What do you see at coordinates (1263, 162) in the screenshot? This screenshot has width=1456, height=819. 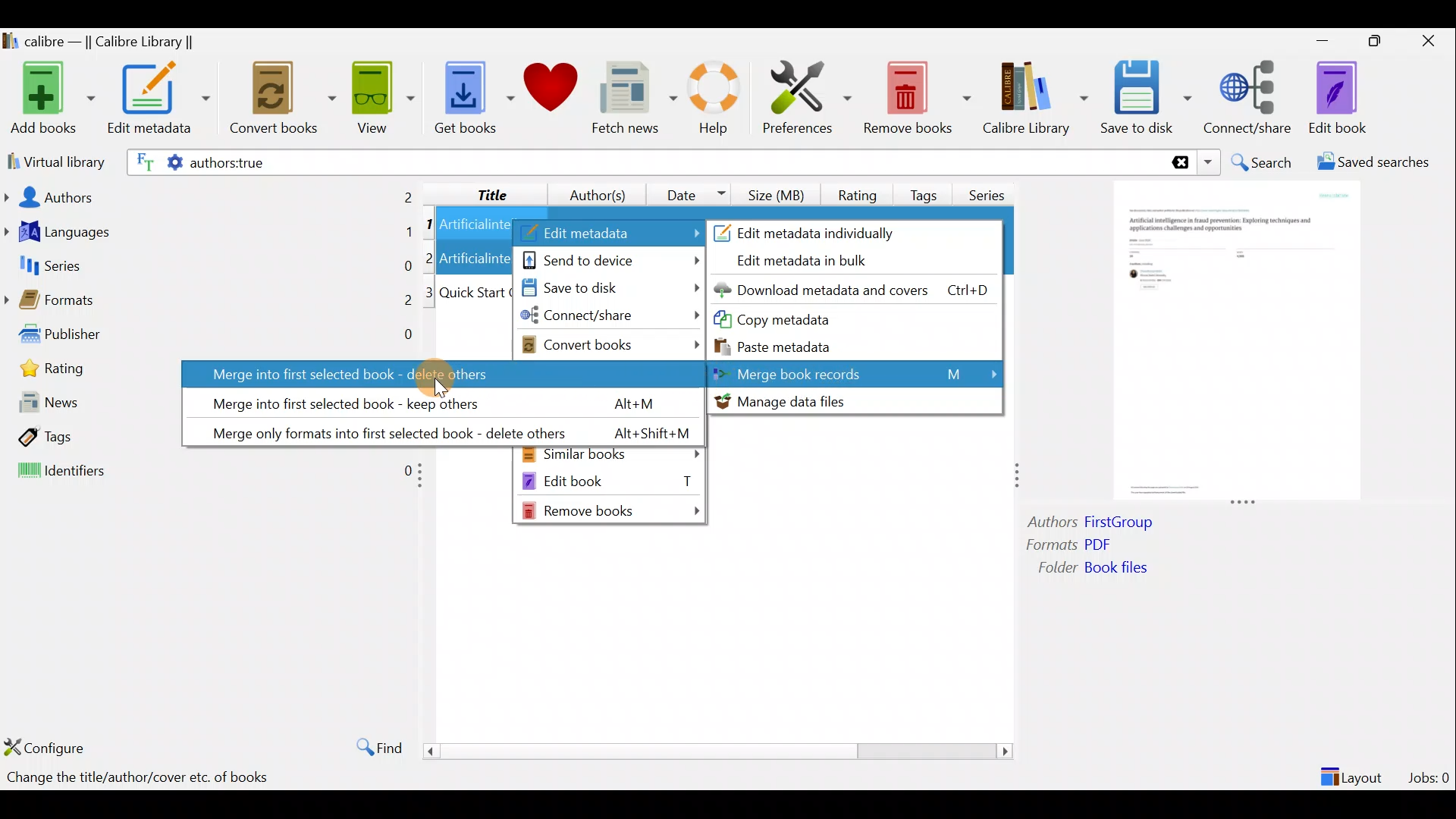 I see `Search` at bounding box center [1263, 162].